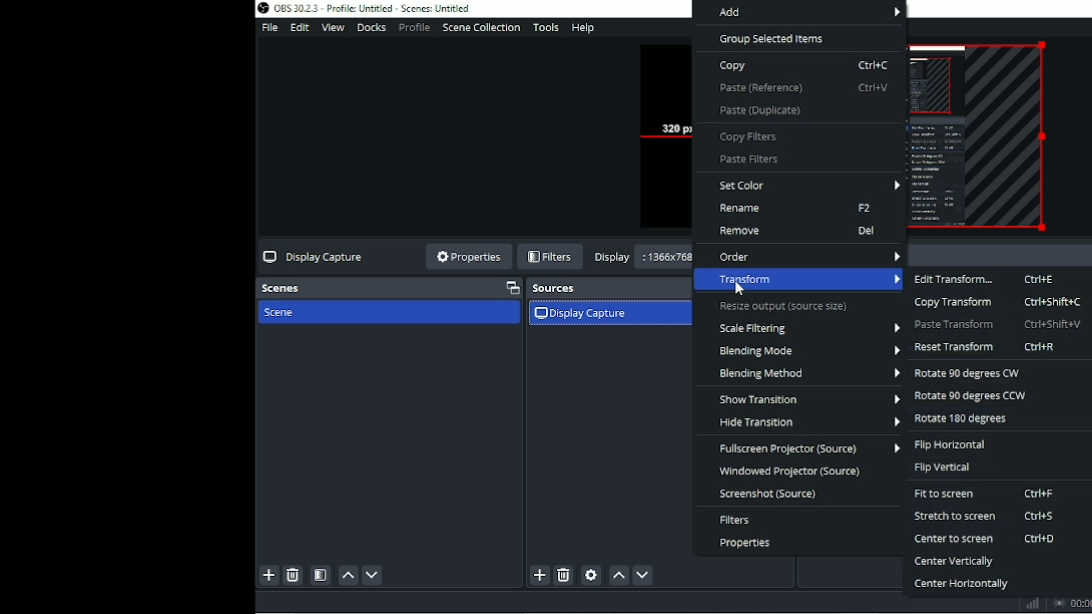 The image size is (1092, 614). What do you see at coordinates (806, 328) in the screenshot?
I see `Scale filtering` at bounding box center [806, 328].